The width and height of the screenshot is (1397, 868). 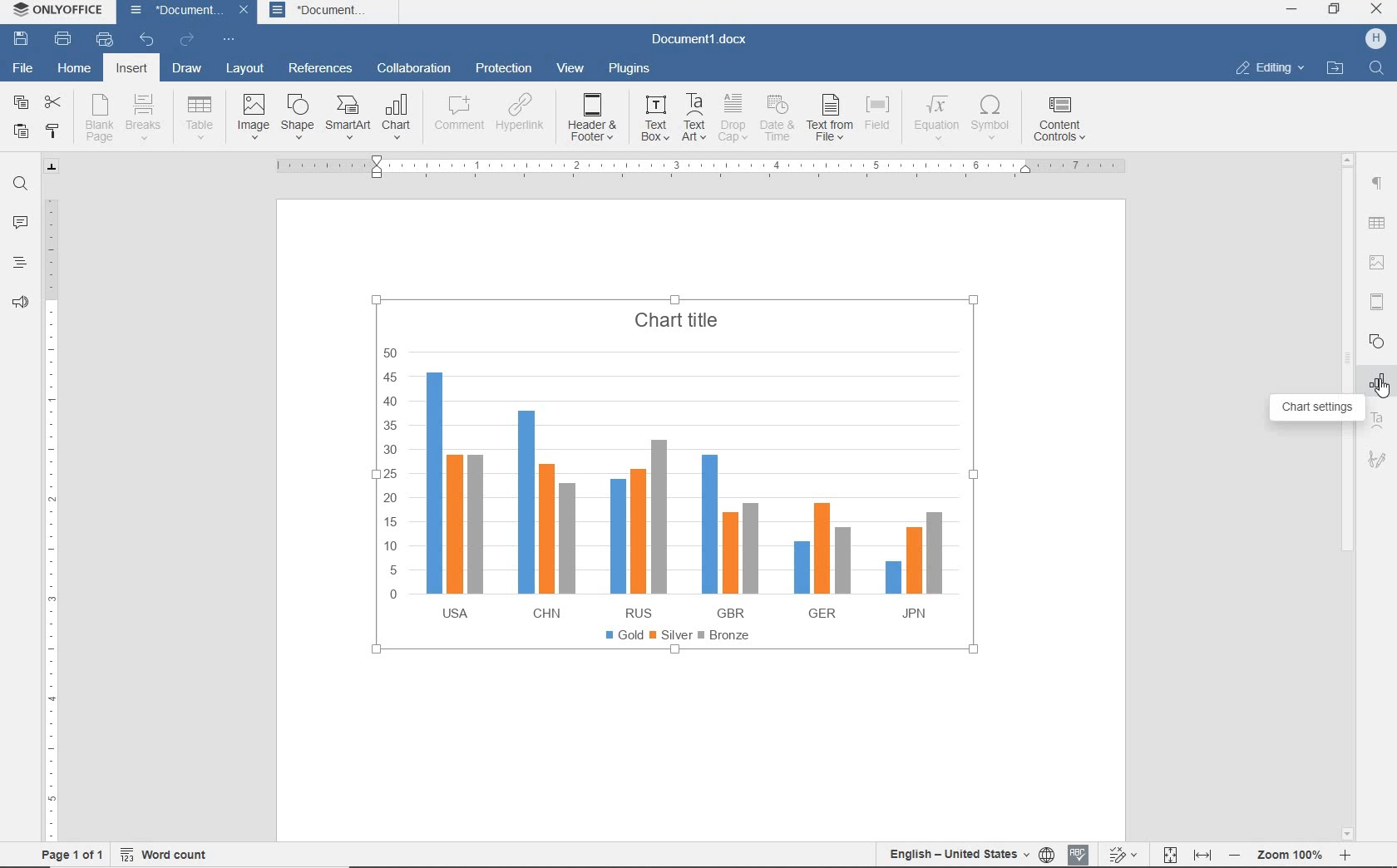 I want to click on image, so click(x=1377, y=262).